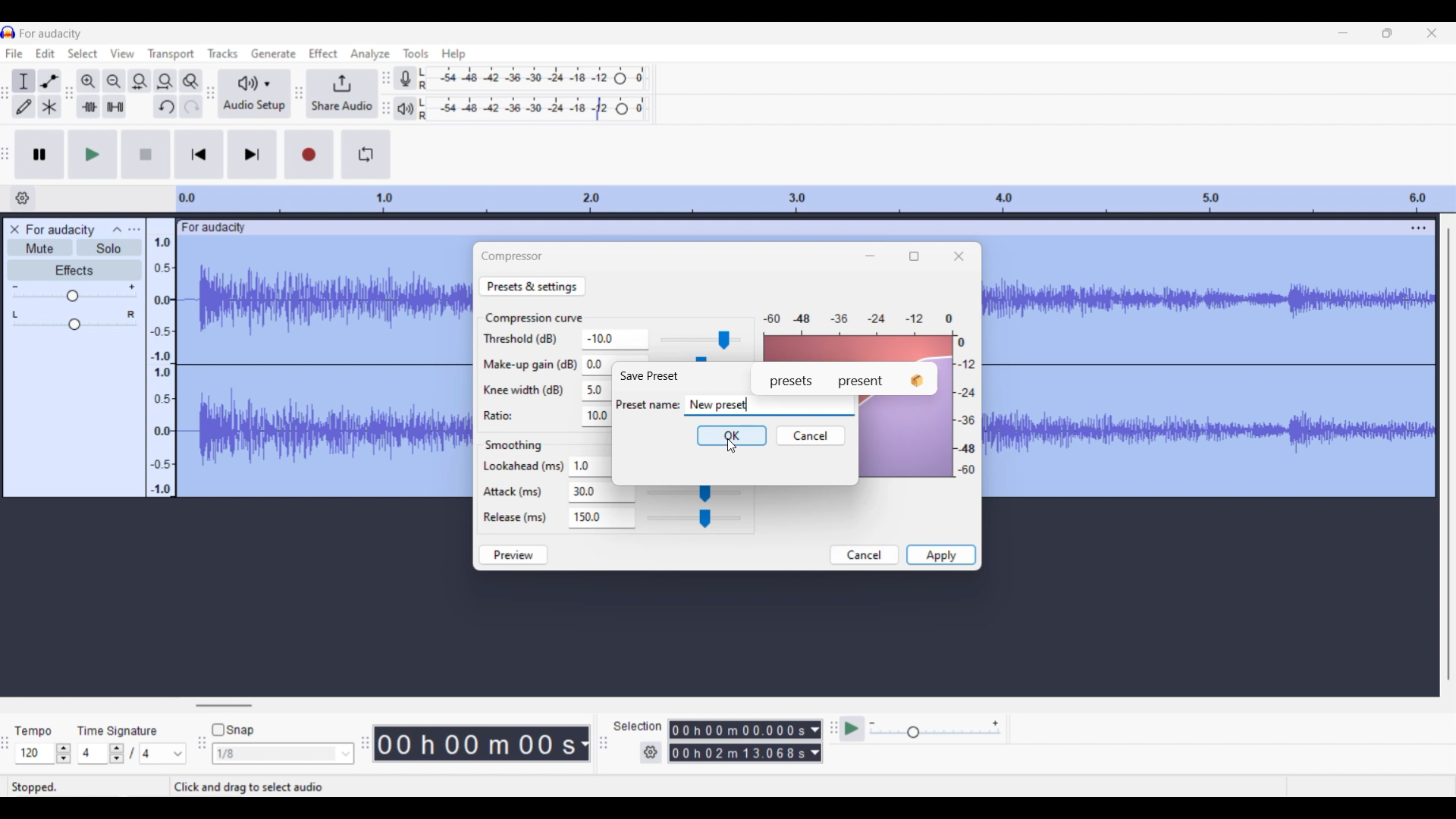 The height and width of the screenshot is (819, 1456). What do you see at coordinates (535, 78) in the screenshot?
I see `Recording level` at bounding box center [535, 78].